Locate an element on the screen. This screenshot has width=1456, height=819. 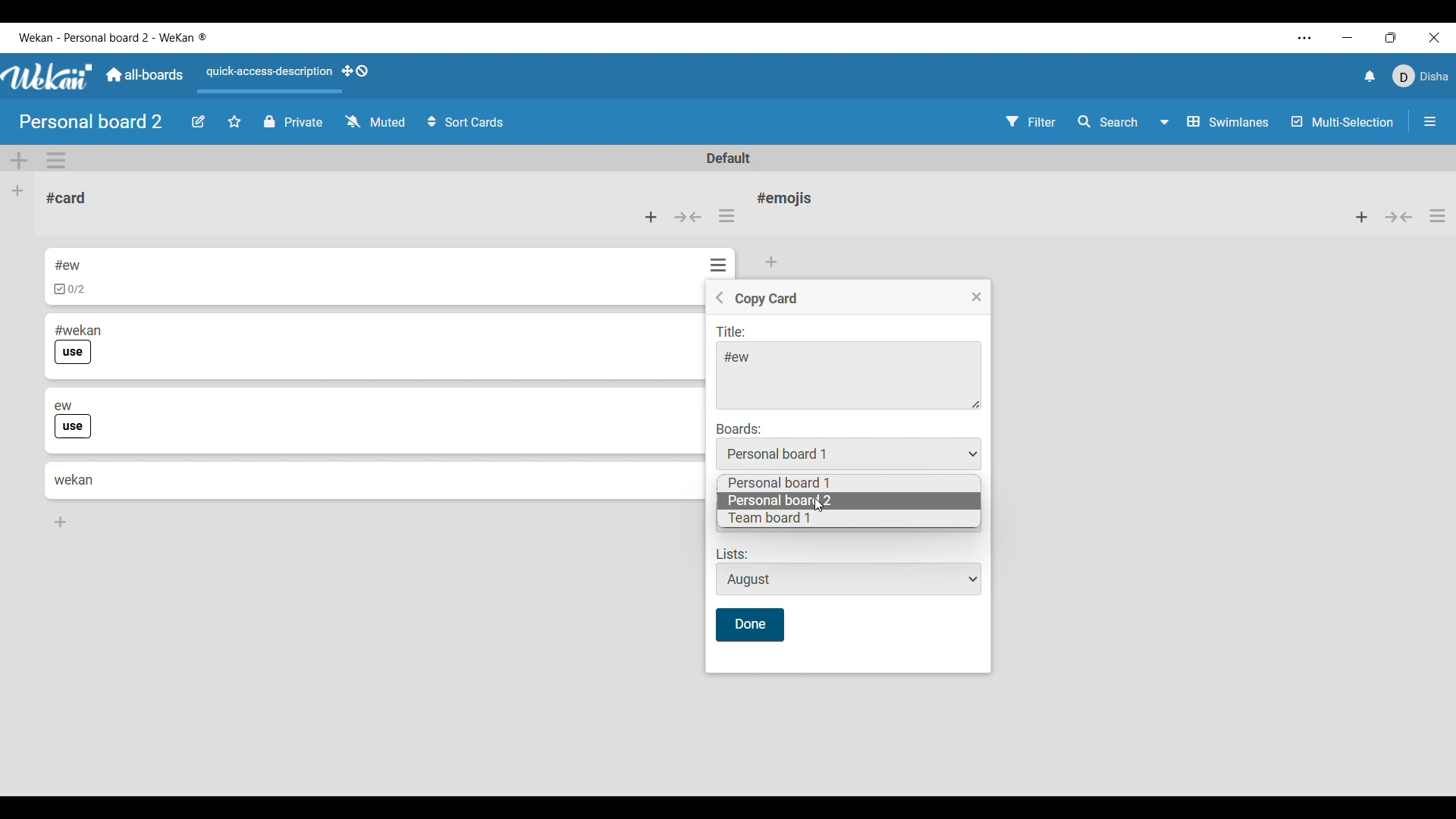
Notifications  is located at coordinates (1370, 76).